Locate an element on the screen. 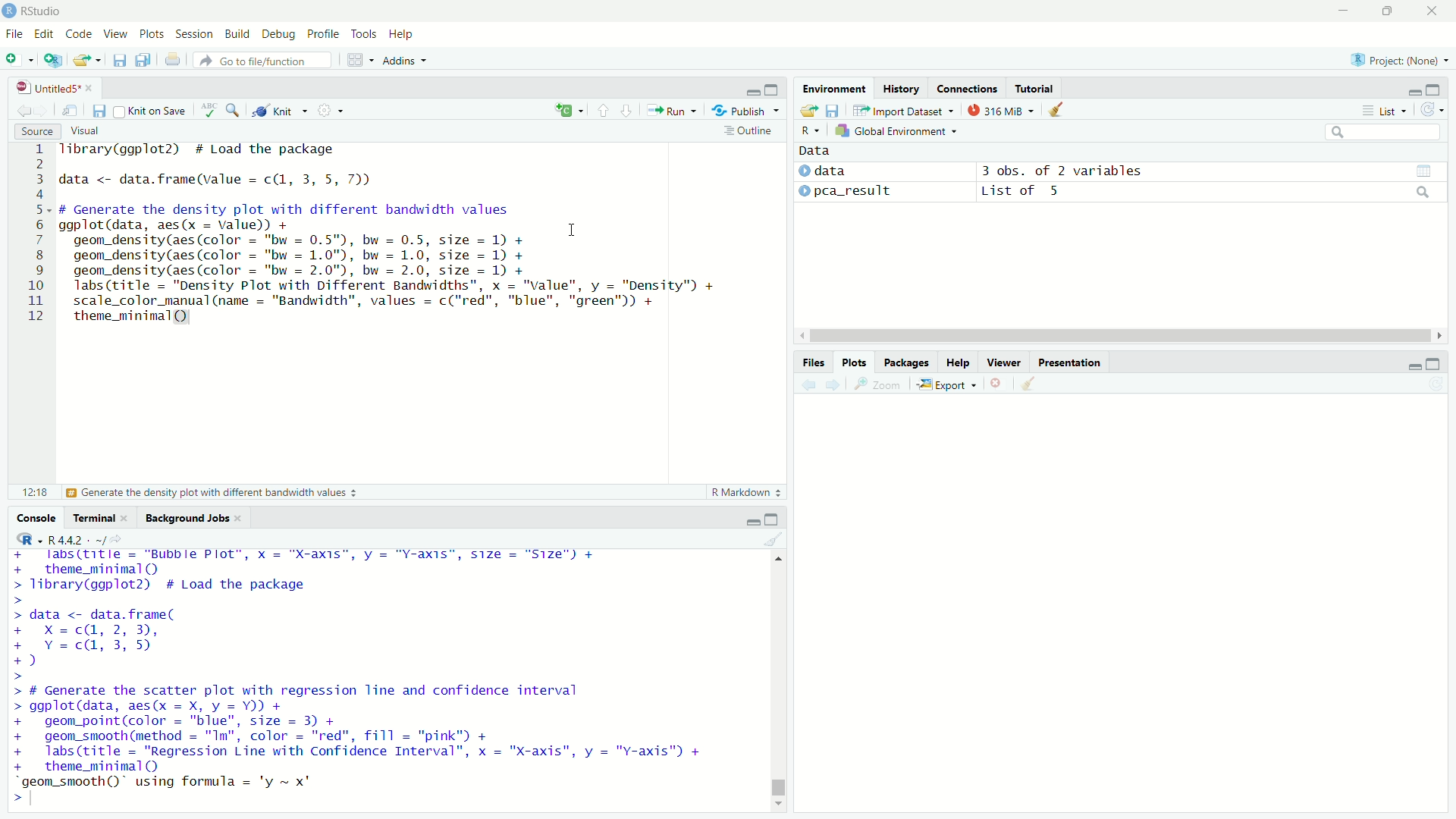  New file is located at coordinates (20, 59).